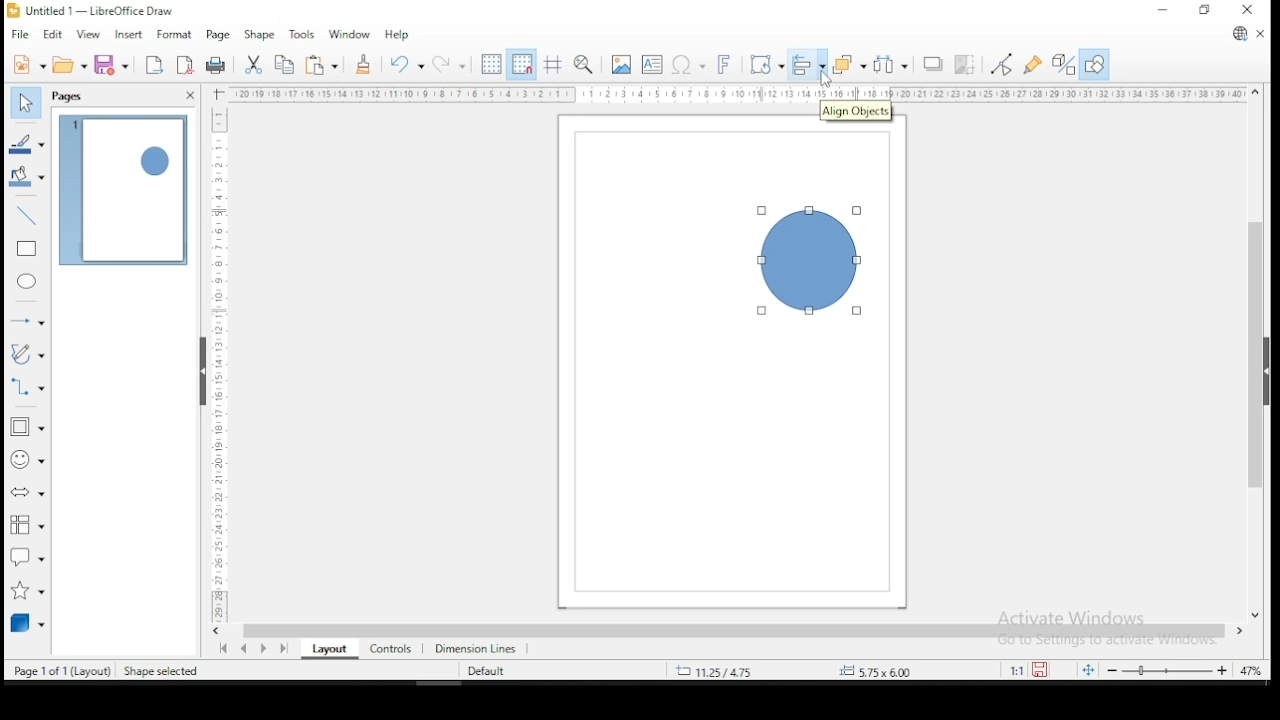 Image resolution: width=1280 pixels, height=720 pixels. I want to click on zoom slider, so click(1166, 669).